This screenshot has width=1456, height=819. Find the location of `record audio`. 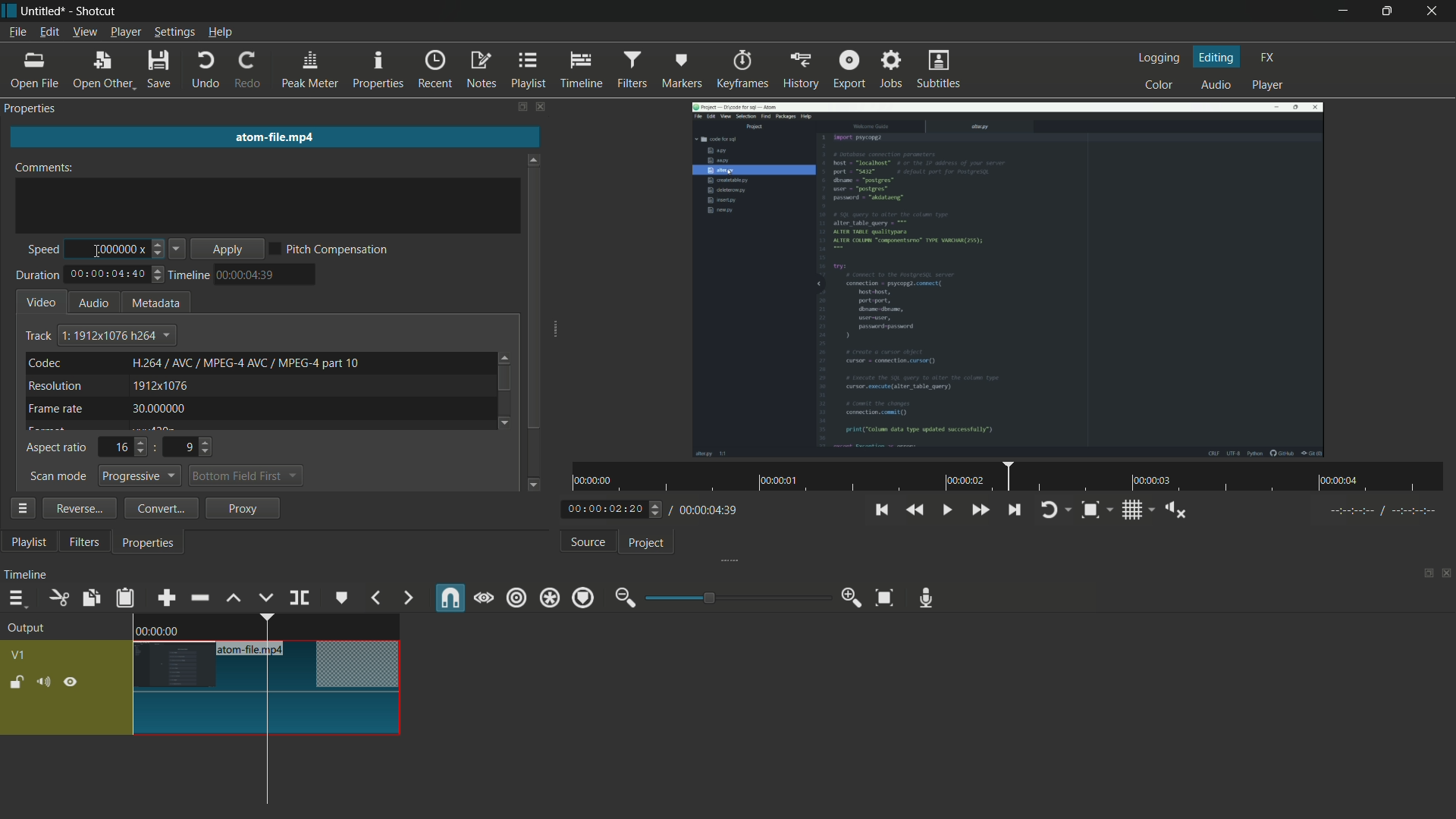

record audio is located at coordinates (927, 600).